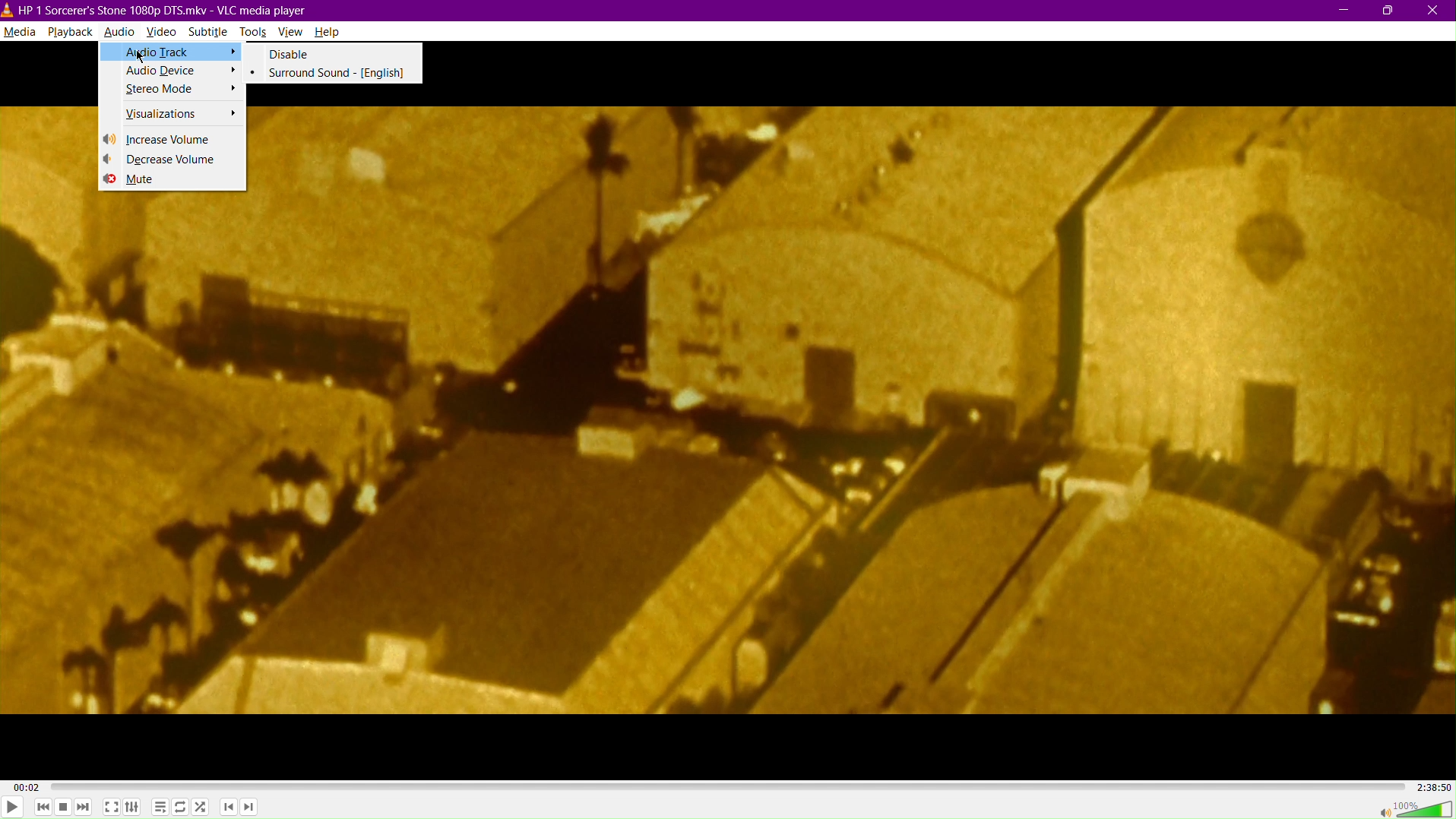 This screenshot has width=1456, height=819. What do you see at coordinates (1432, 786) in the screenshot?
I see `2:38:50` at bounding box center [1432, 786].